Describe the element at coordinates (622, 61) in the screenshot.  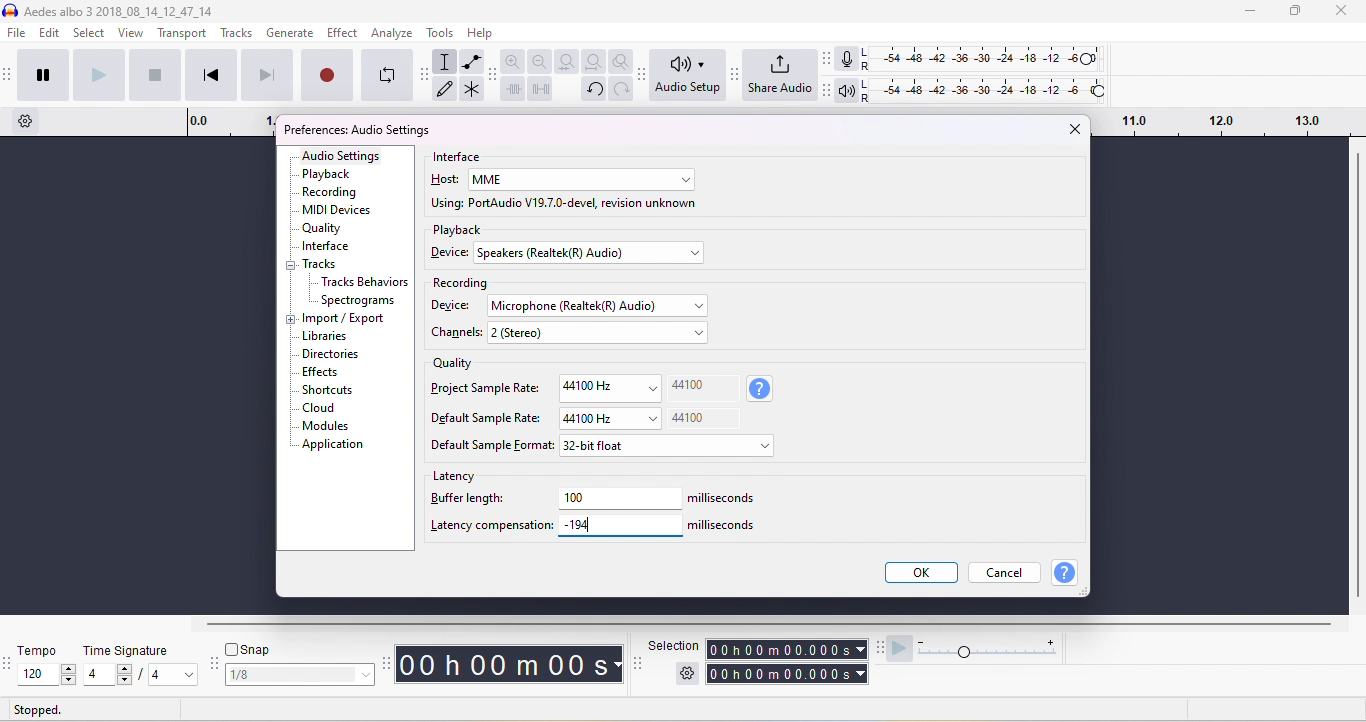
I see `zoom toggle` at that location.